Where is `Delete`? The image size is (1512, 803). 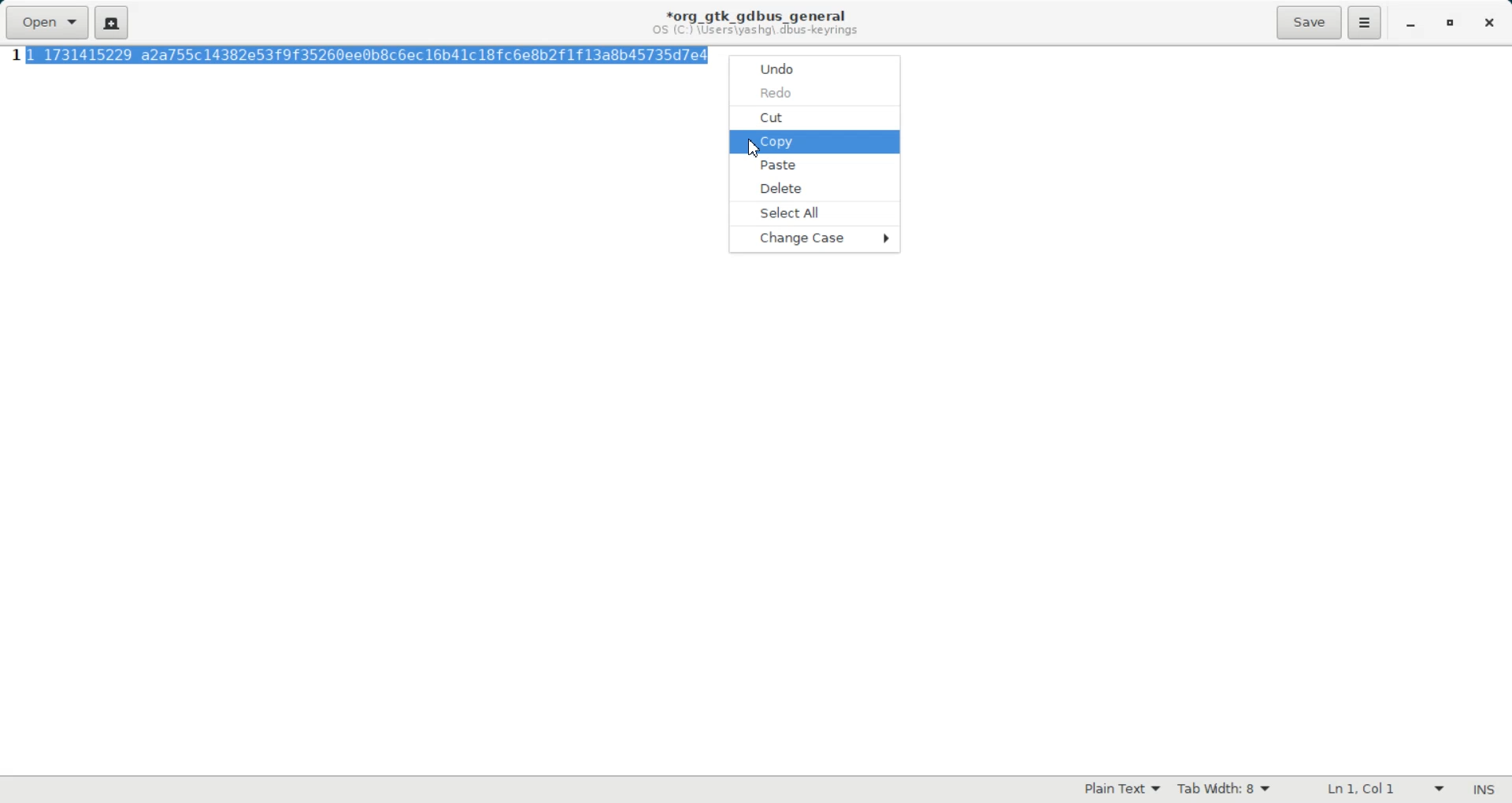 Delete is located at coordinates (810, 189).